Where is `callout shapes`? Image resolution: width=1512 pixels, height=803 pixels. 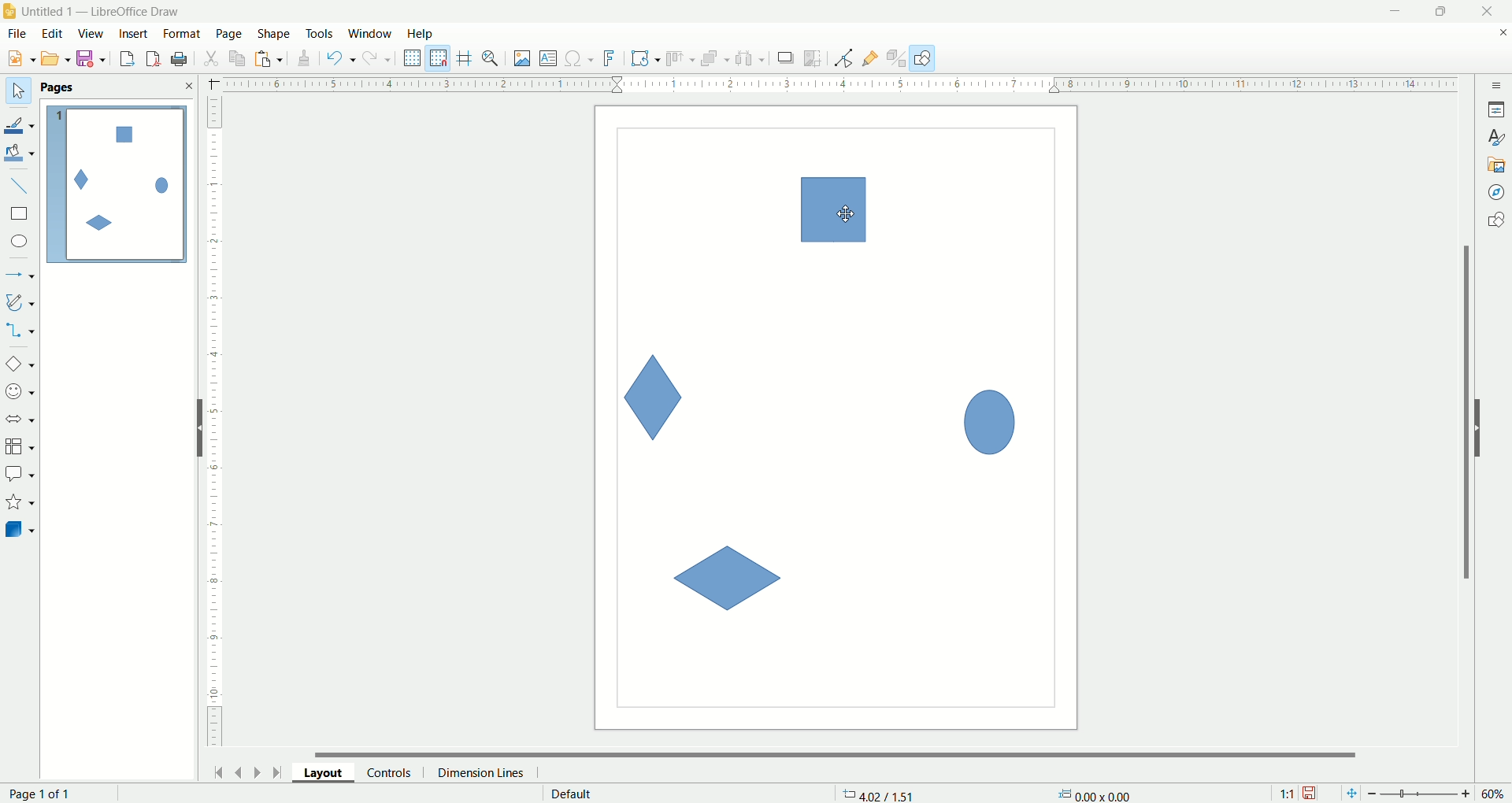
callout shapes is located at coordinates (20, 475).